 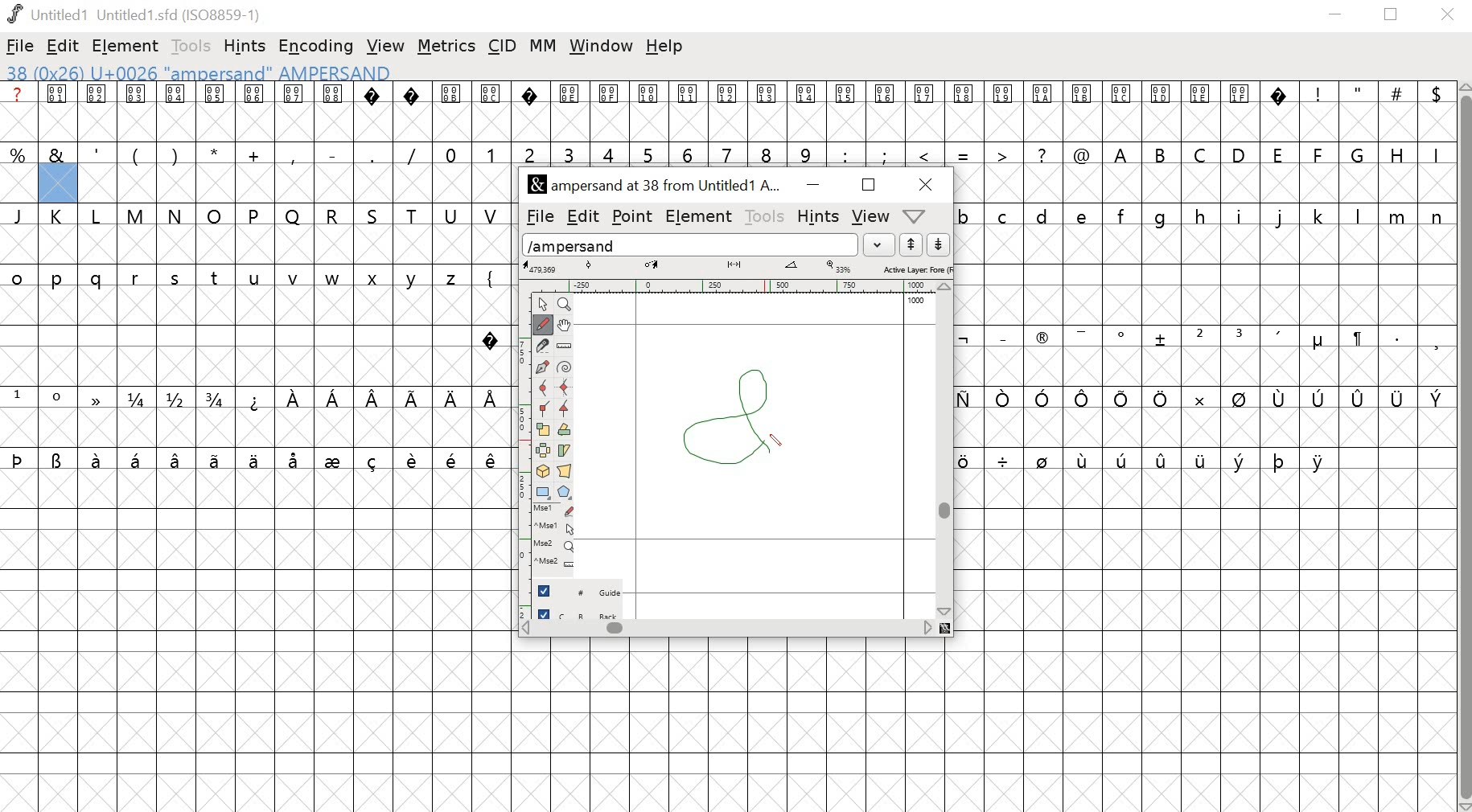 I want to click on 7, so click(x=730, y=153).